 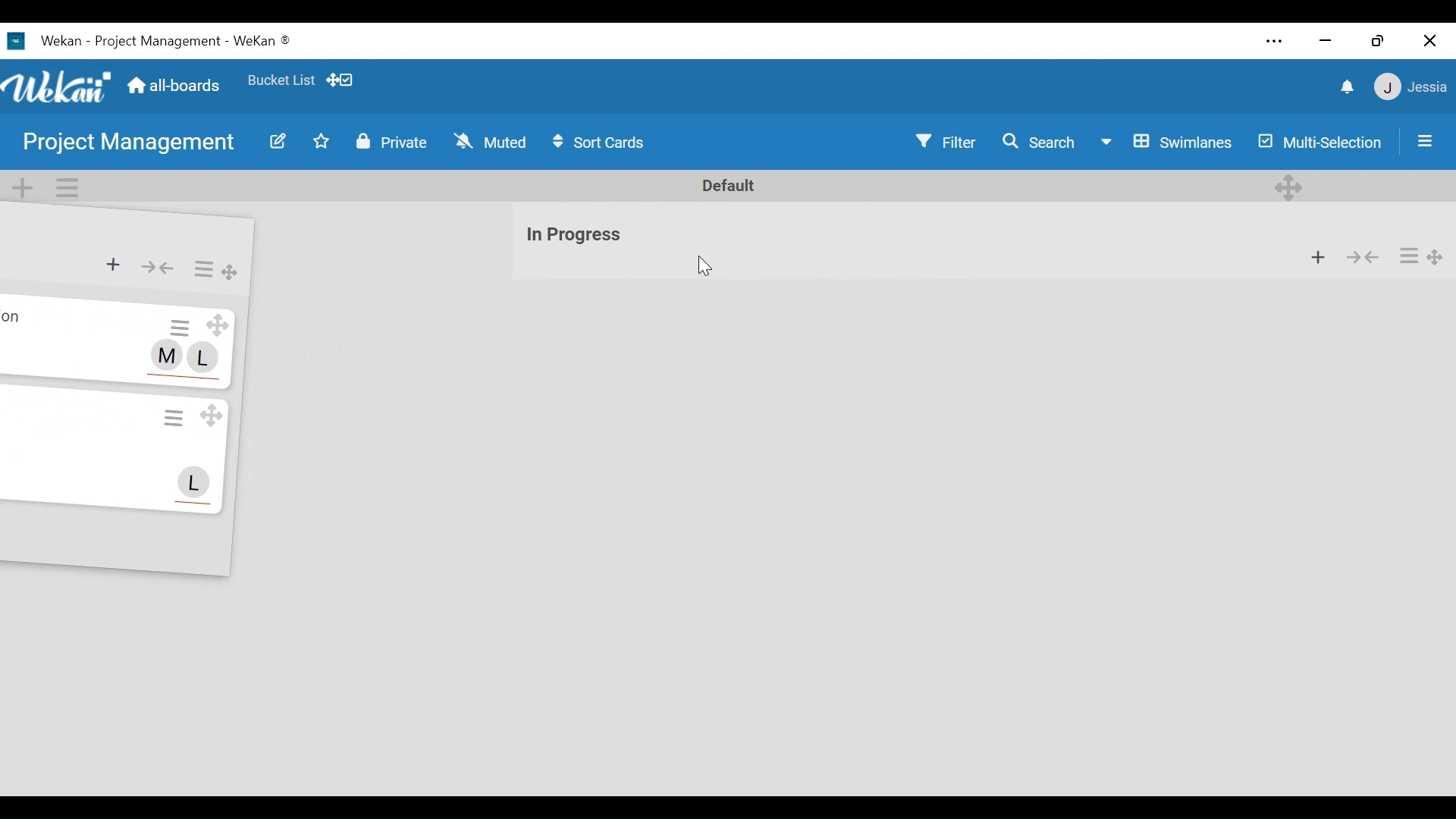 What do you see at coordinates (176, 86) in the screenshot?
I see `Home (all boards)` at bounding box center [176, 86].